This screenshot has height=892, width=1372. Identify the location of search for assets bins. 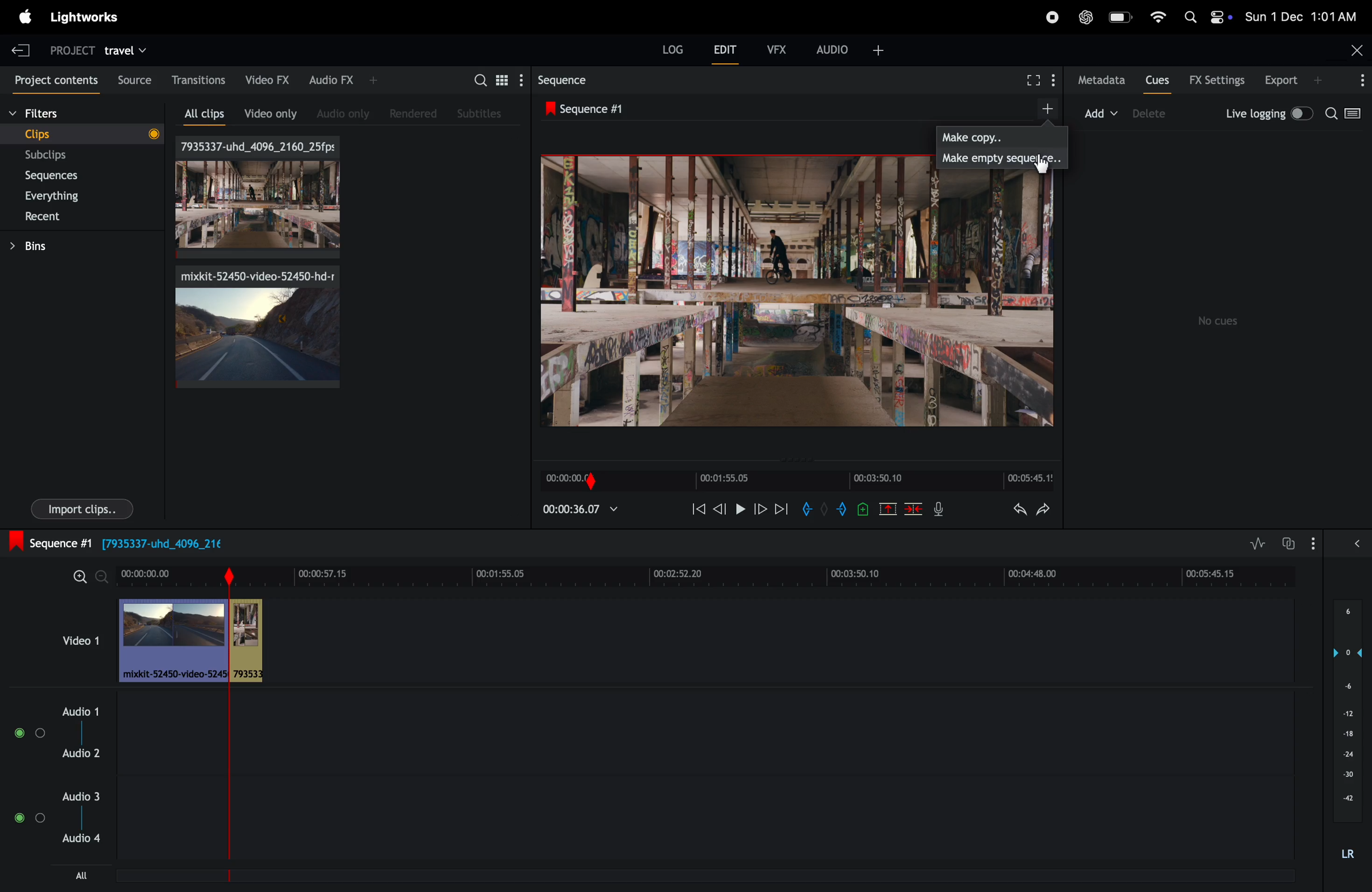
(478, 84).